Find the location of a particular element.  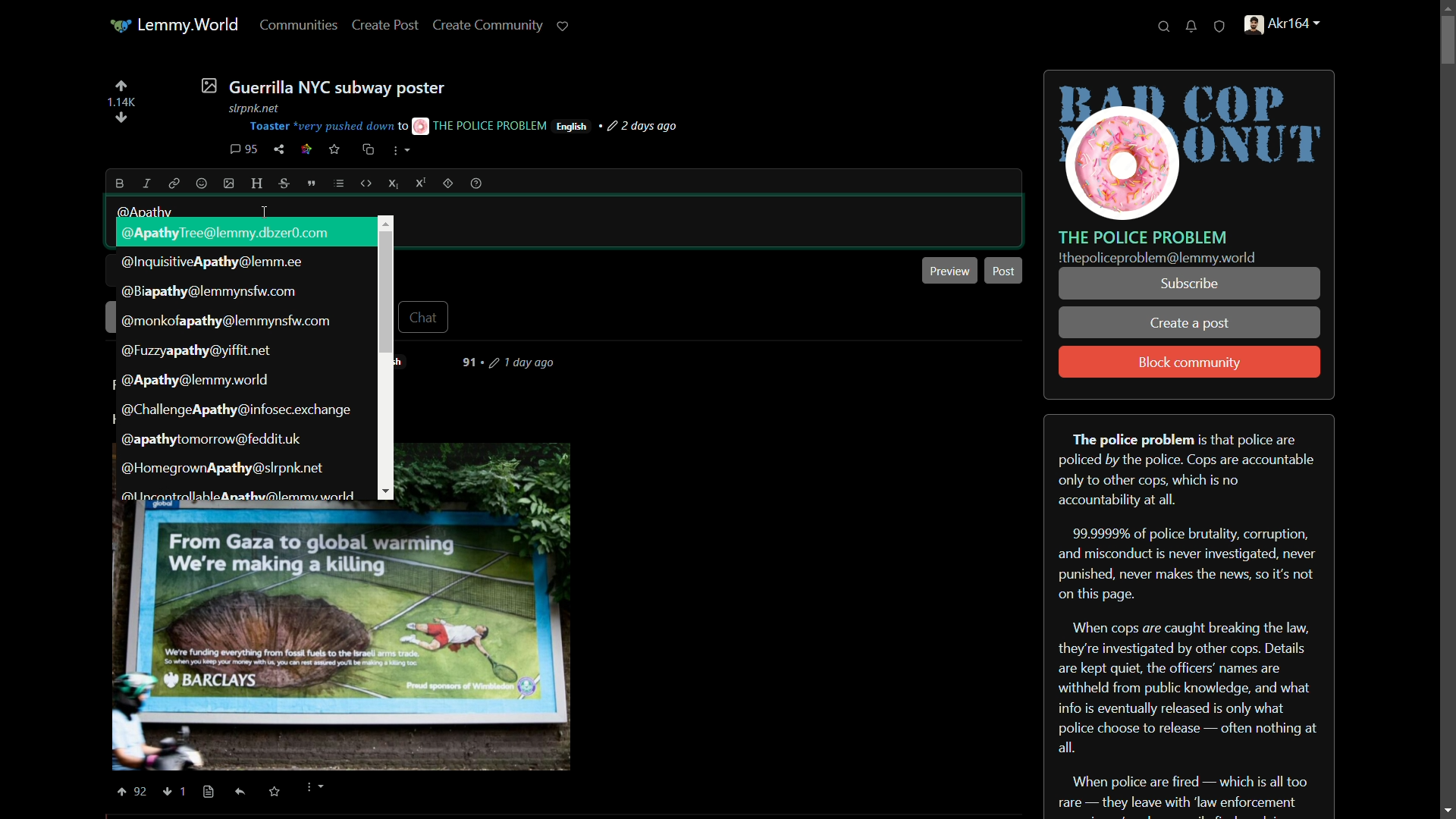

preview  is located at coordinates (950, 270).